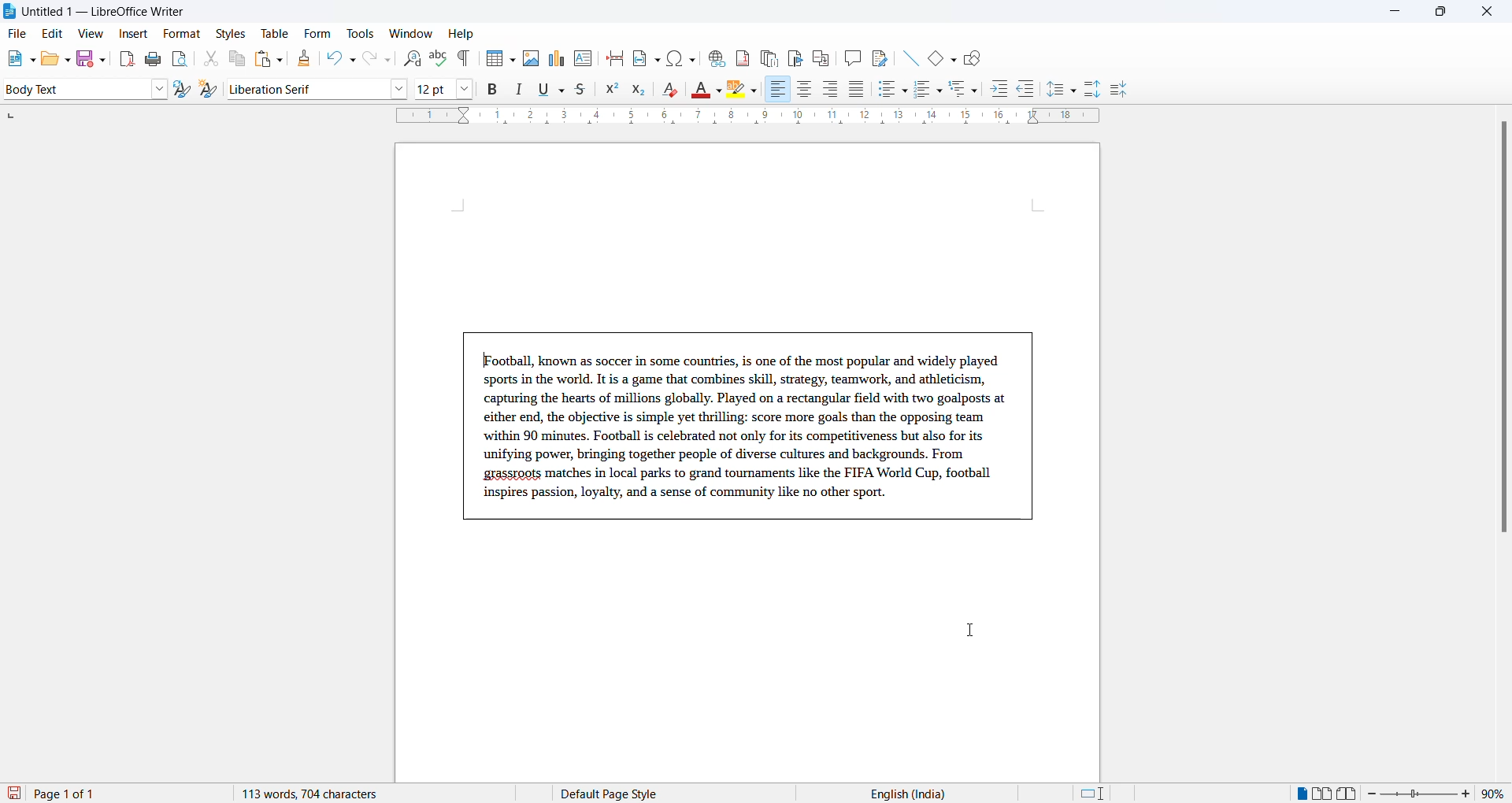 The image size is (1512, 803). I want to click on page style, so click(615, 794).